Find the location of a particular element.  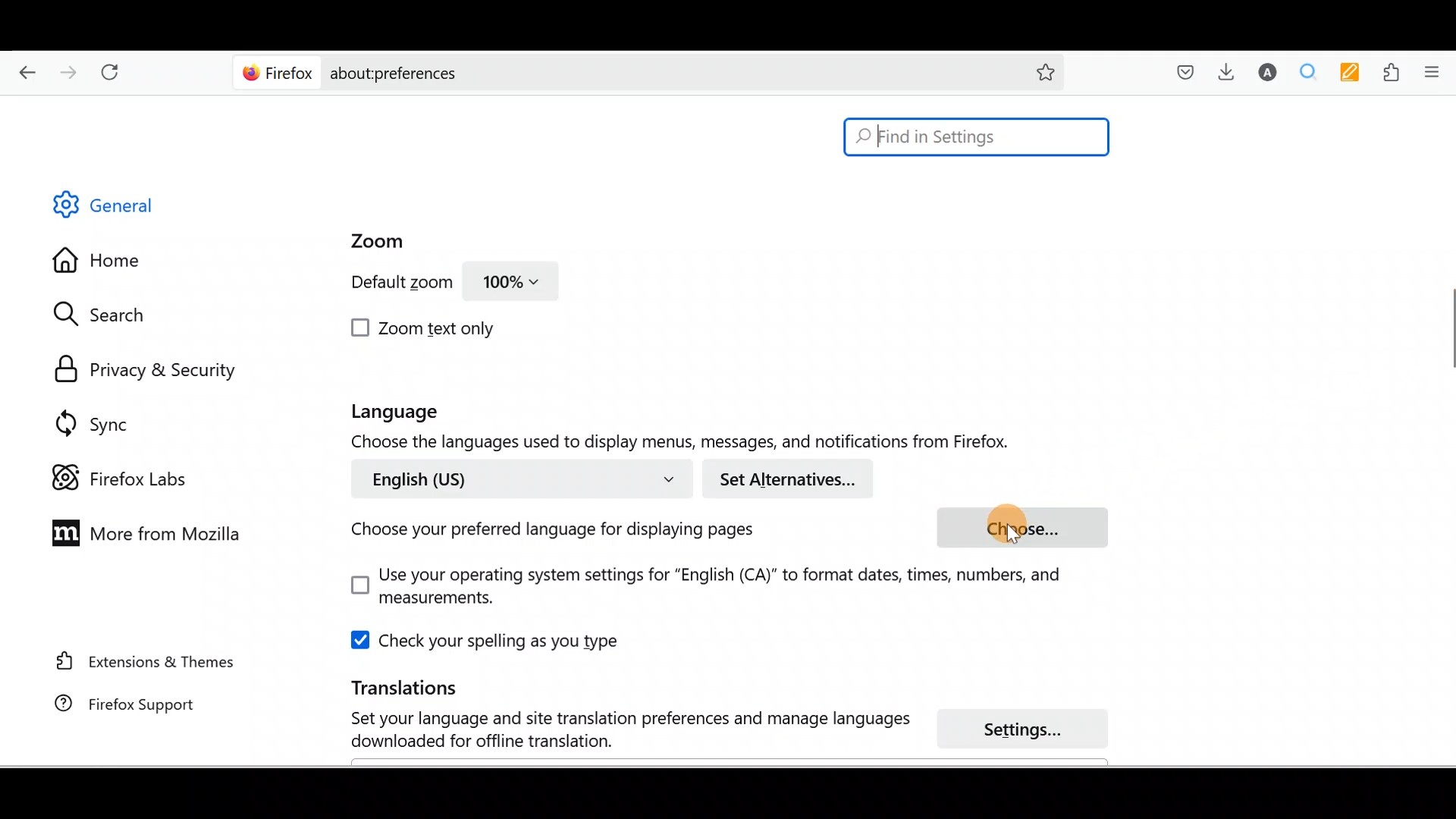

Use your operating system settings for "English(CA)" to format dates, times, numbers and measurements. is located at coordinates (691, 588).